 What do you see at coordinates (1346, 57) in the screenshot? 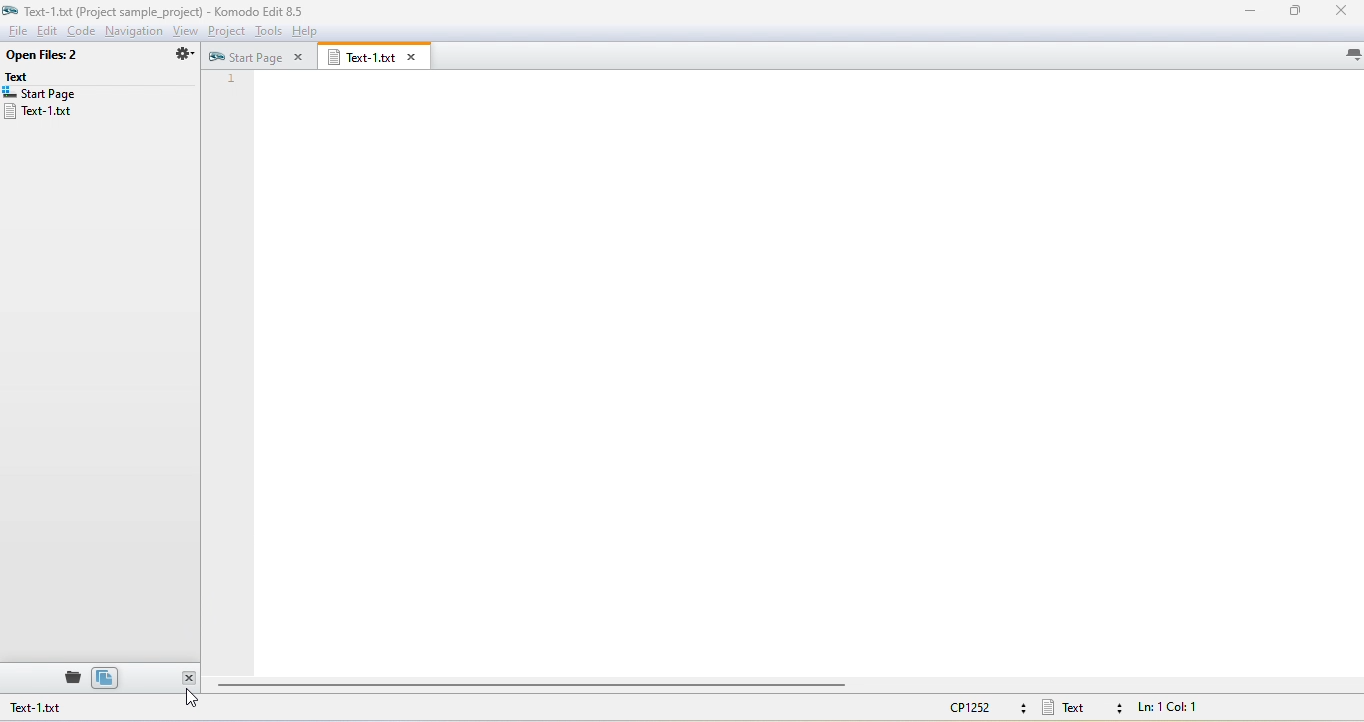
I see `list all tabs` at bounding box center [1346, 57].